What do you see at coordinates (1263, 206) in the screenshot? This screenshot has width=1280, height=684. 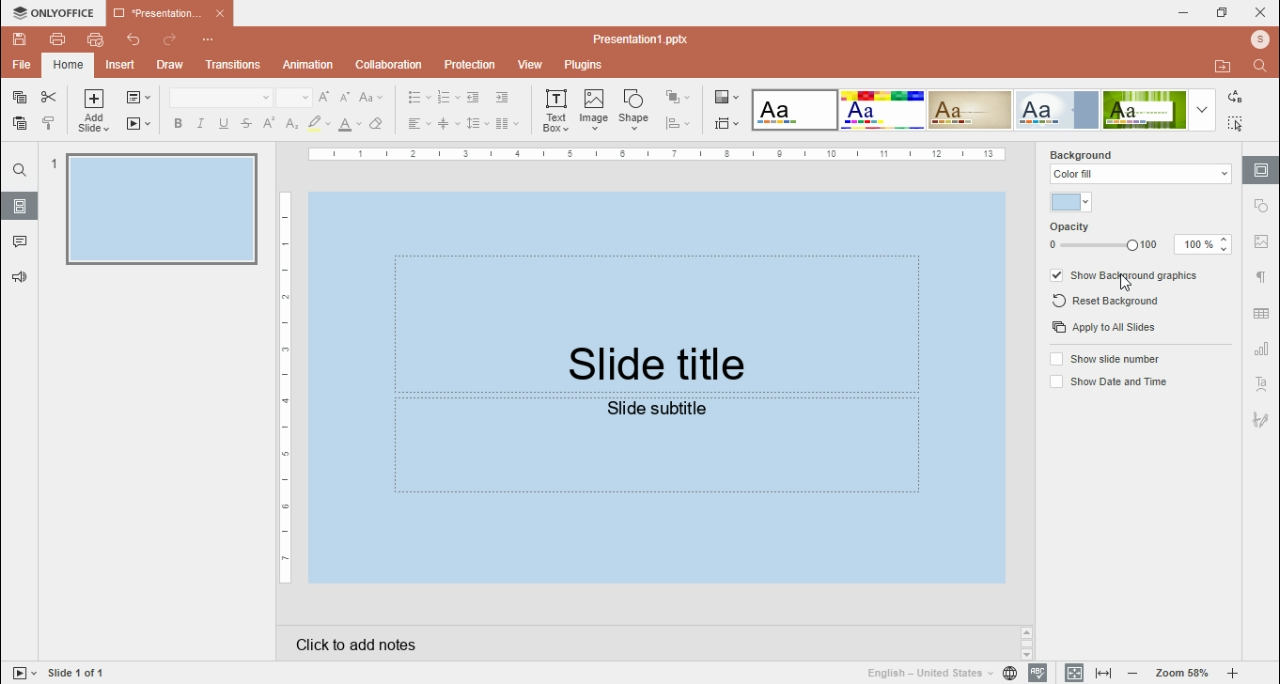 I see `shape settings` at bounding box center [1263, 206].